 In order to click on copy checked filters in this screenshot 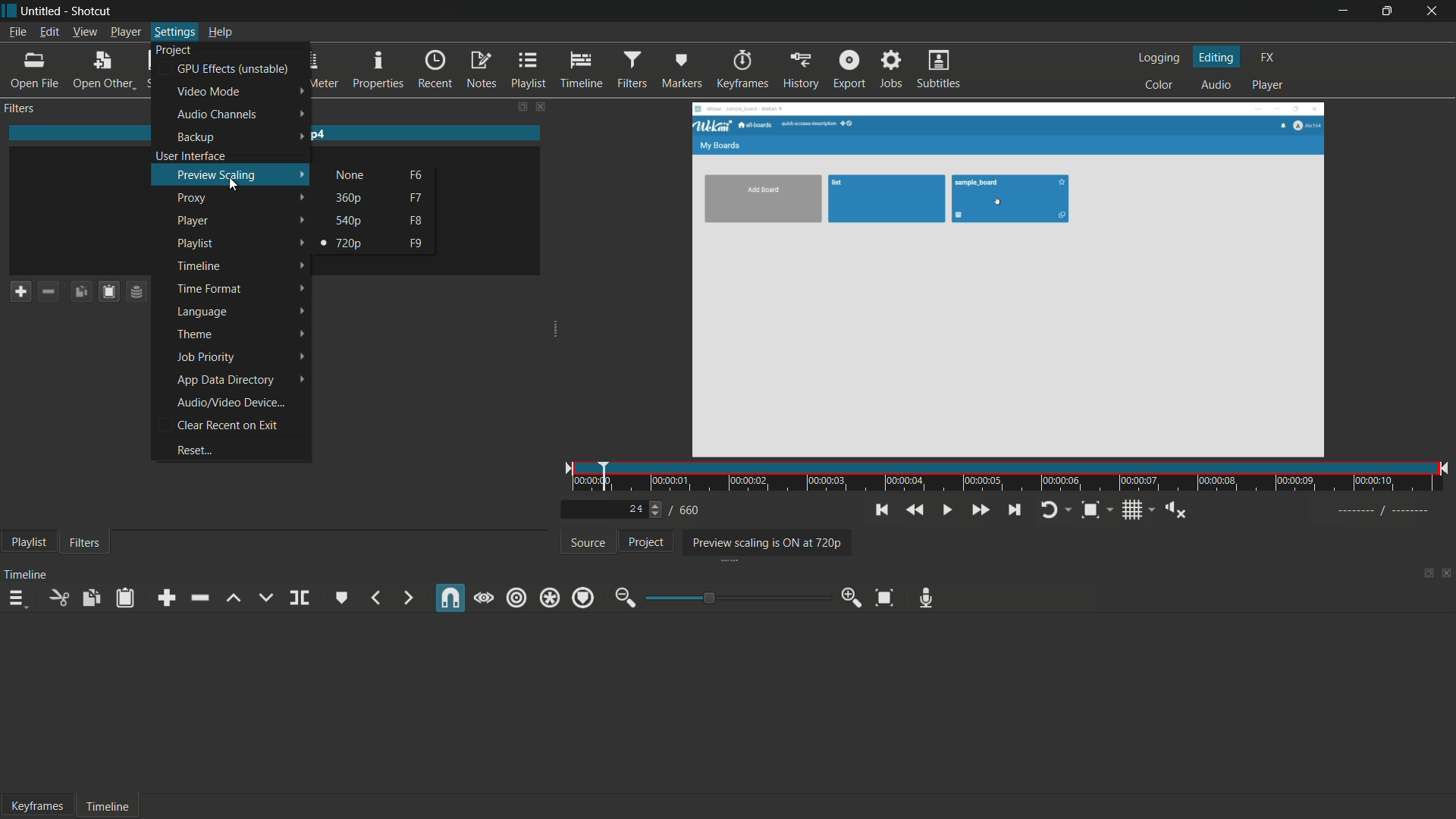, I will do `click(78, 292)`.